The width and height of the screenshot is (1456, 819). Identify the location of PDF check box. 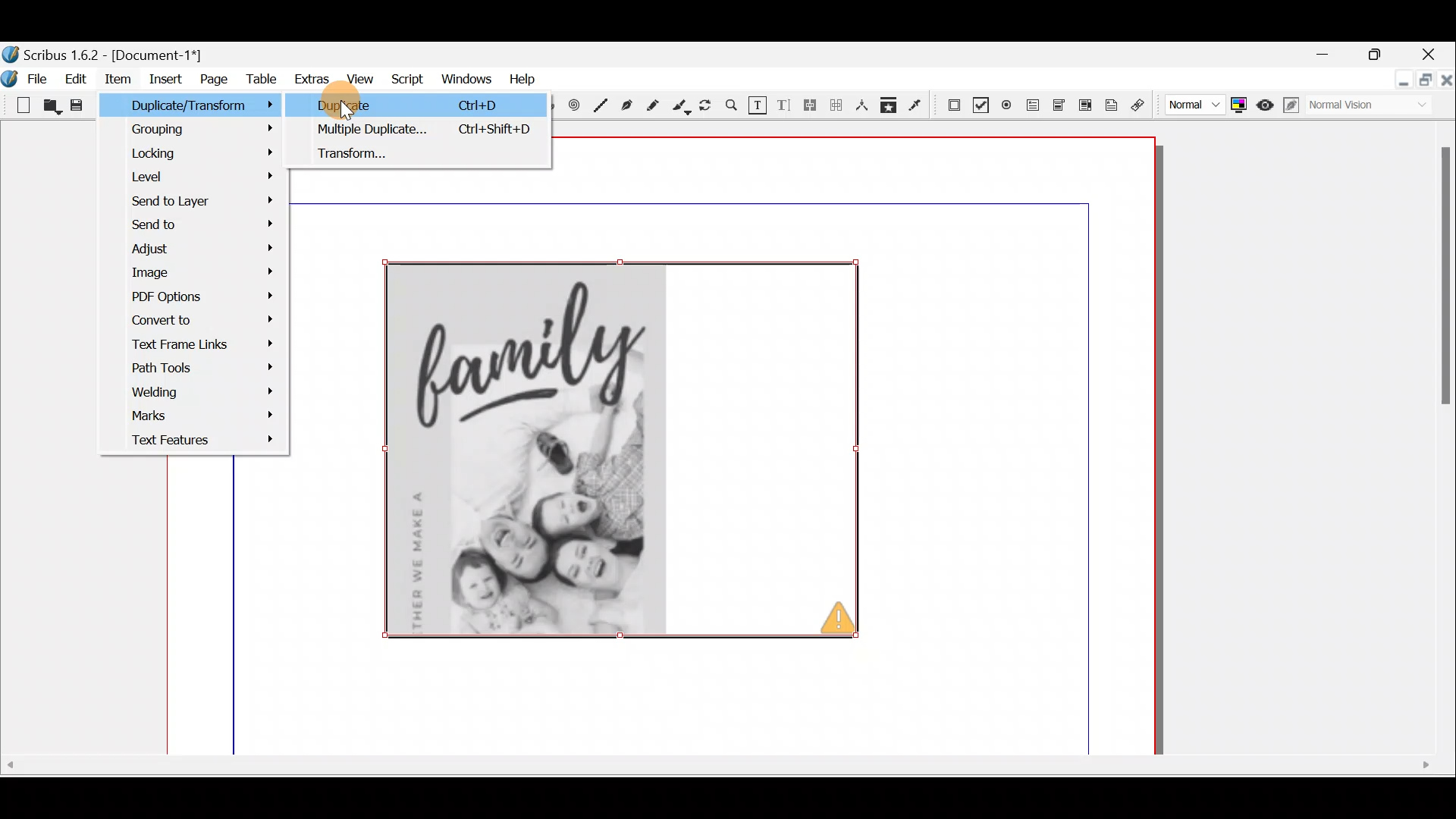
(980, 102).